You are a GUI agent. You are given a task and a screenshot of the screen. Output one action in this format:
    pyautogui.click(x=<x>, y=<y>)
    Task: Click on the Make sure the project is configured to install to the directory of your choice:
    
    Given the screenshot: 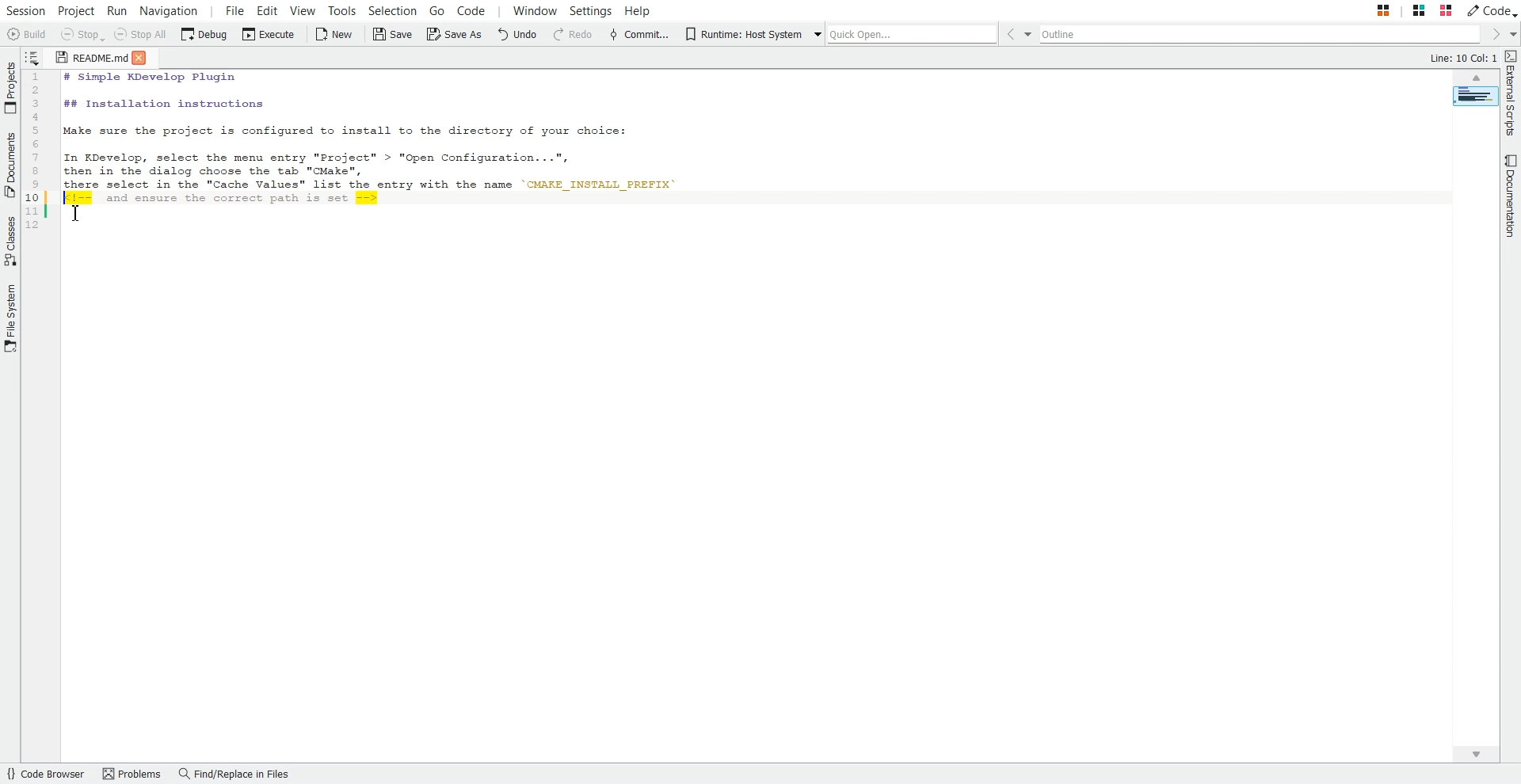 What is the action you would take?
    pyautogui.click(x=364, y=132)
    